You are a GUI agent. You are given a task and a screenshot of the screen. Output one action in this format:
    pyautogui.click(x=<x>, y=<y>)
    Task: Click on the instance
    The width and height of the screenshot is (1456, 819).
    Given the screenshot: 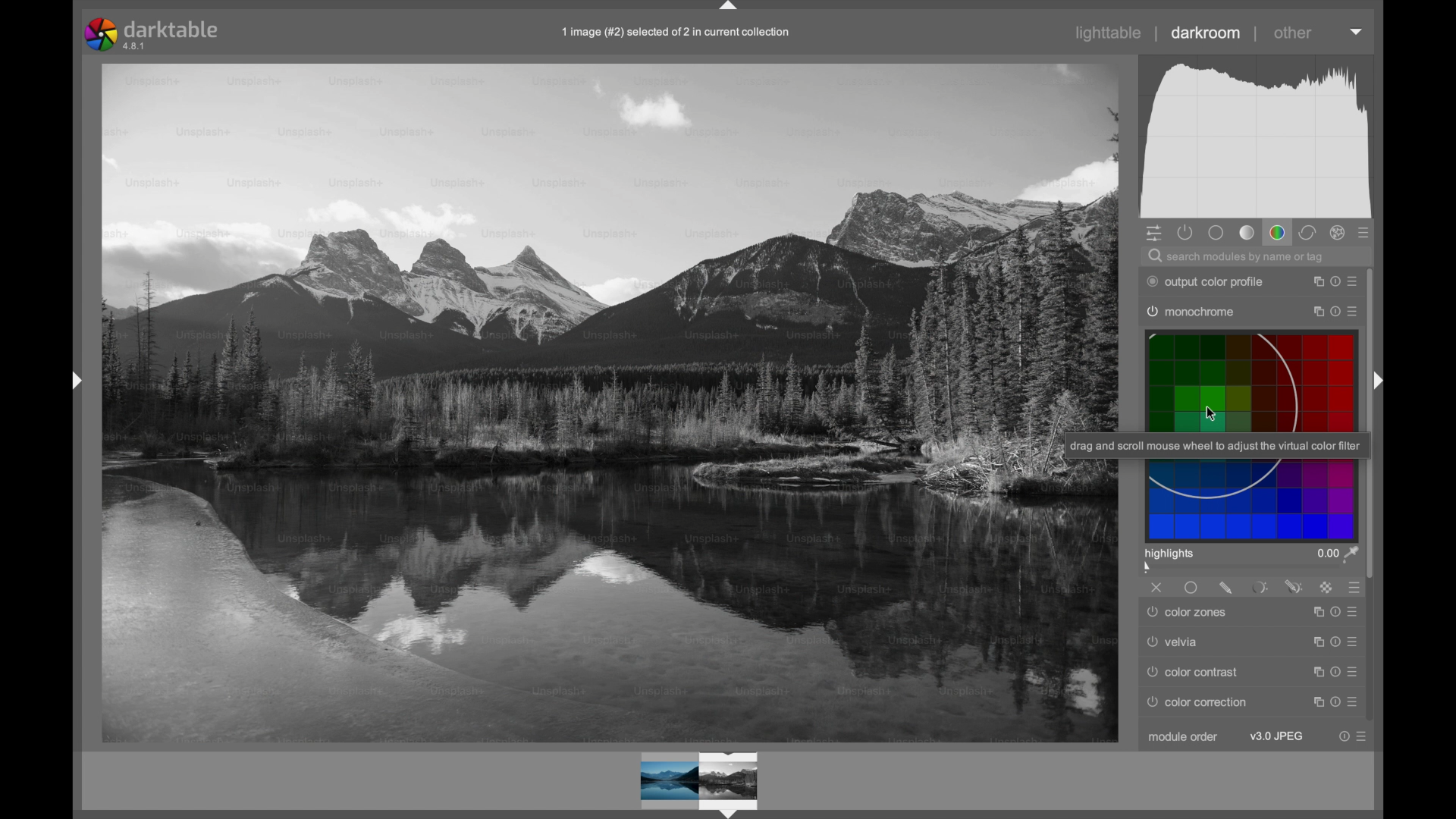 What is the action you would take?
    pyautogui.click(x=1316, y=613)
    